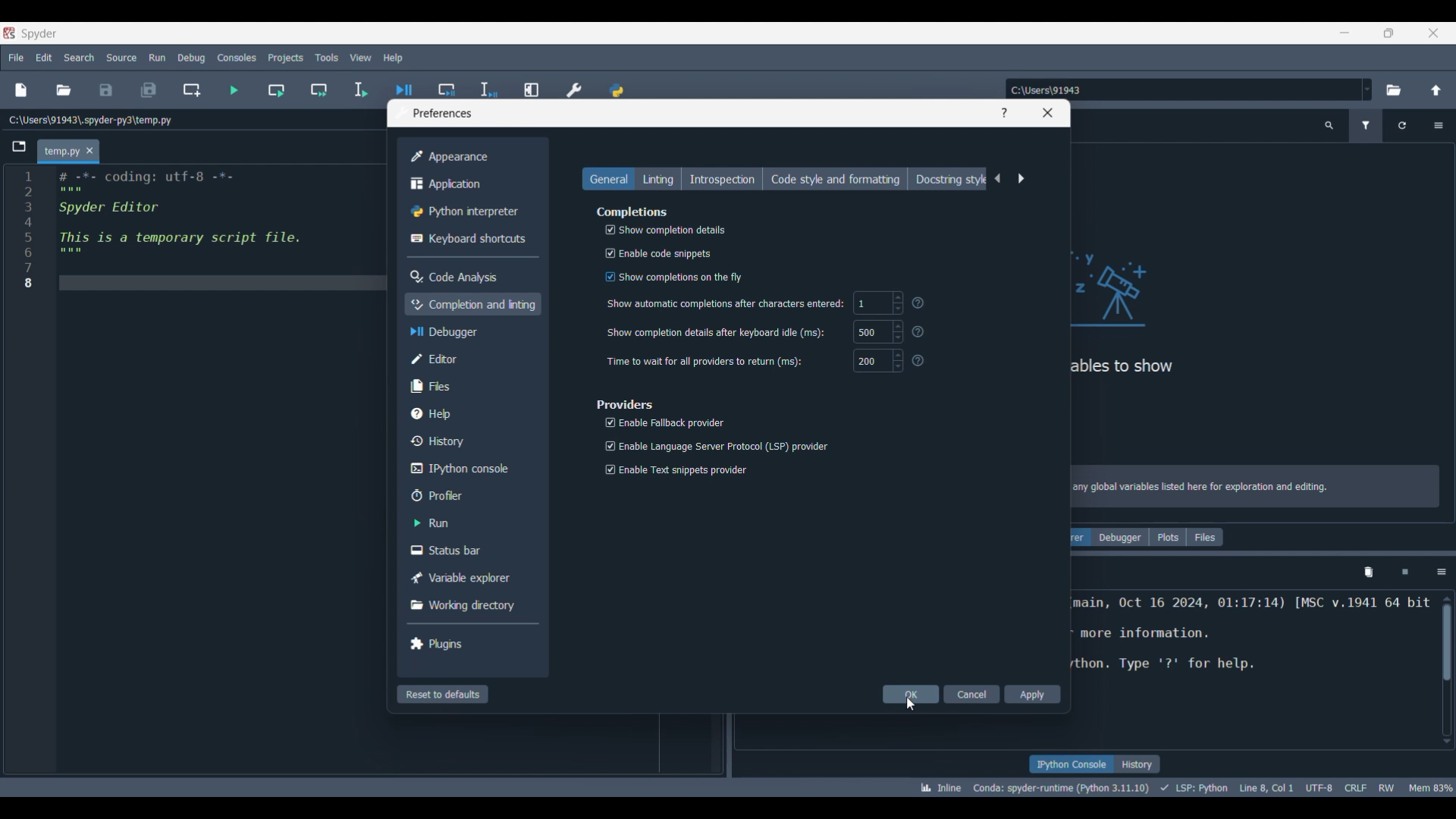 This screenshot has height=819, width=1456. I want to click on Close, so click(1433, 33).